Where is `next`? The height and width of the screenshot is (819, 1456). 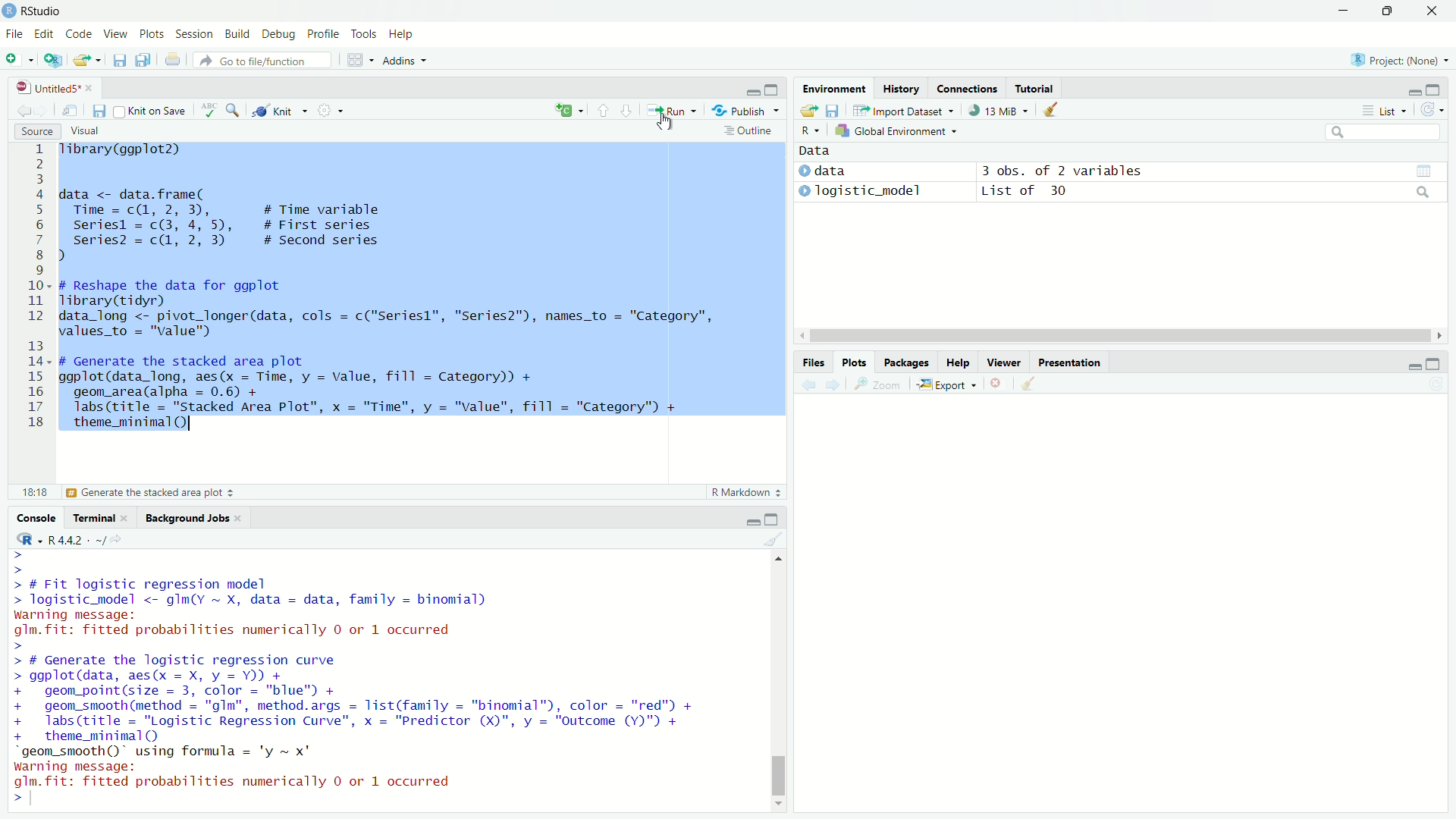
next is located at coordinates (834, 388).